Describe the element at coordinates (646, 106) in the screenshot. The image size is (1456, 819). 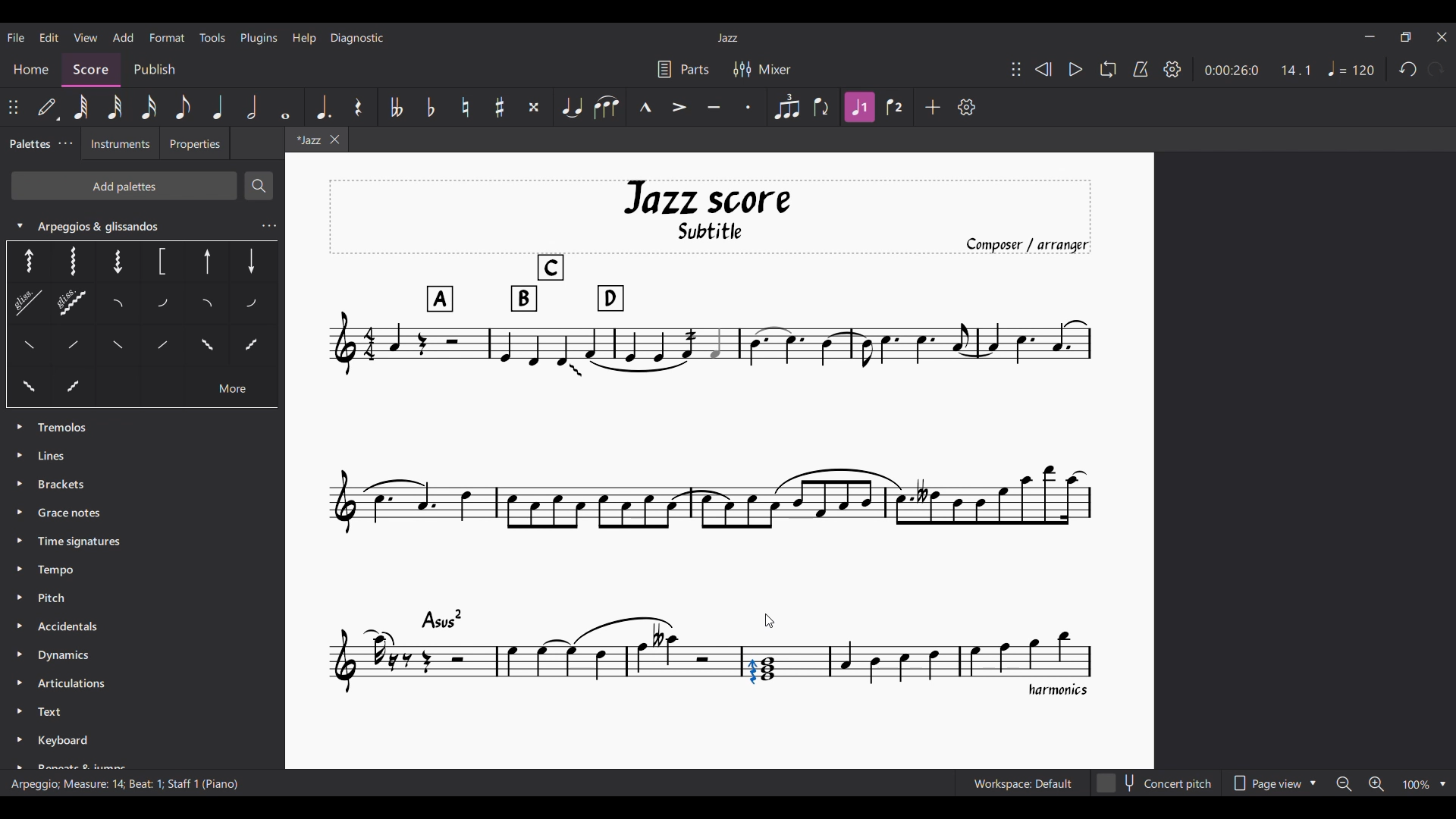
I see `Marcato` at that location.